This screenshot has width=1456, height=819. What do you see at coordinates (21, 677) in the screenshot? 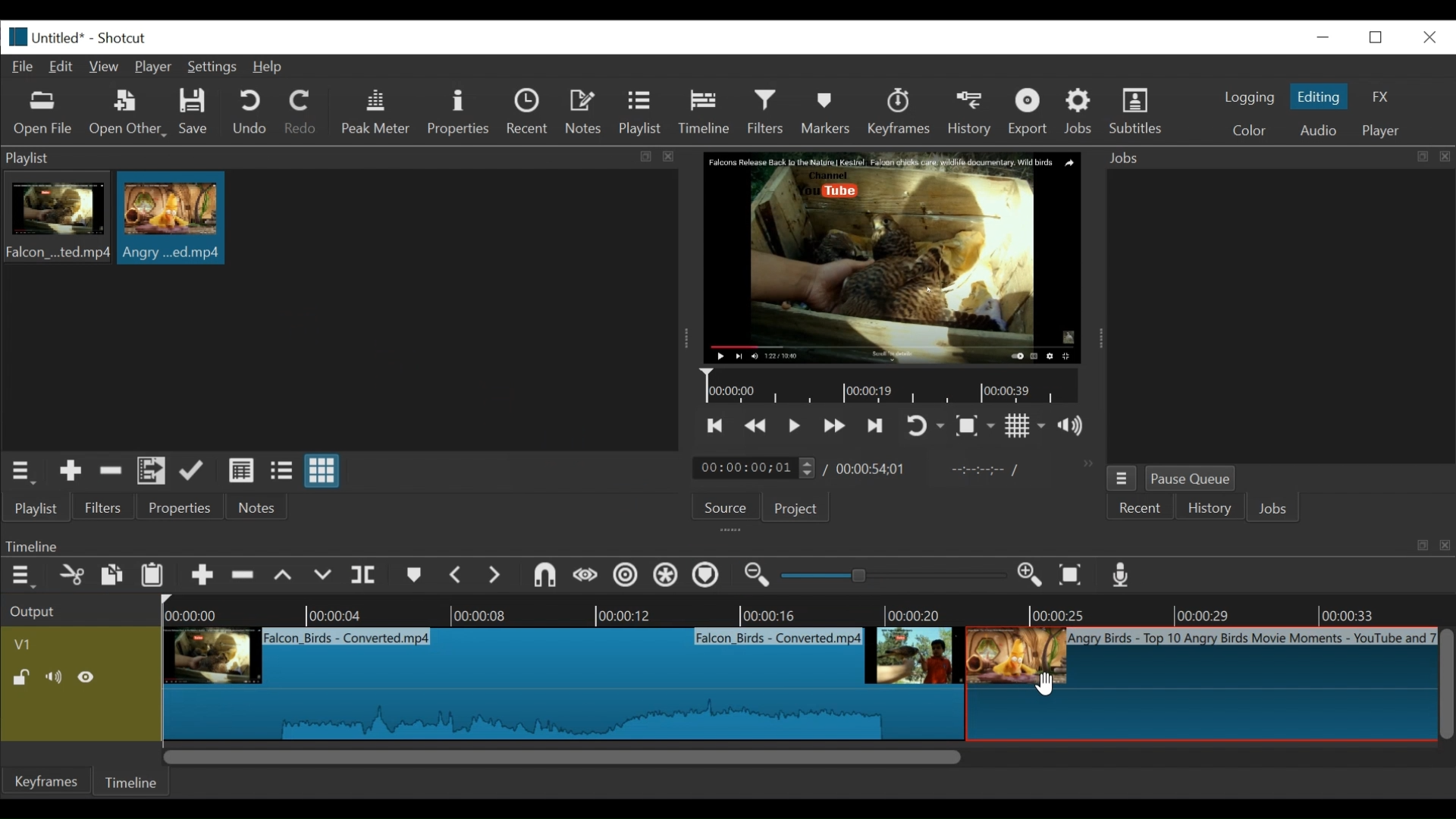
I see `(un)lock track` at bounding box center [21, 677].